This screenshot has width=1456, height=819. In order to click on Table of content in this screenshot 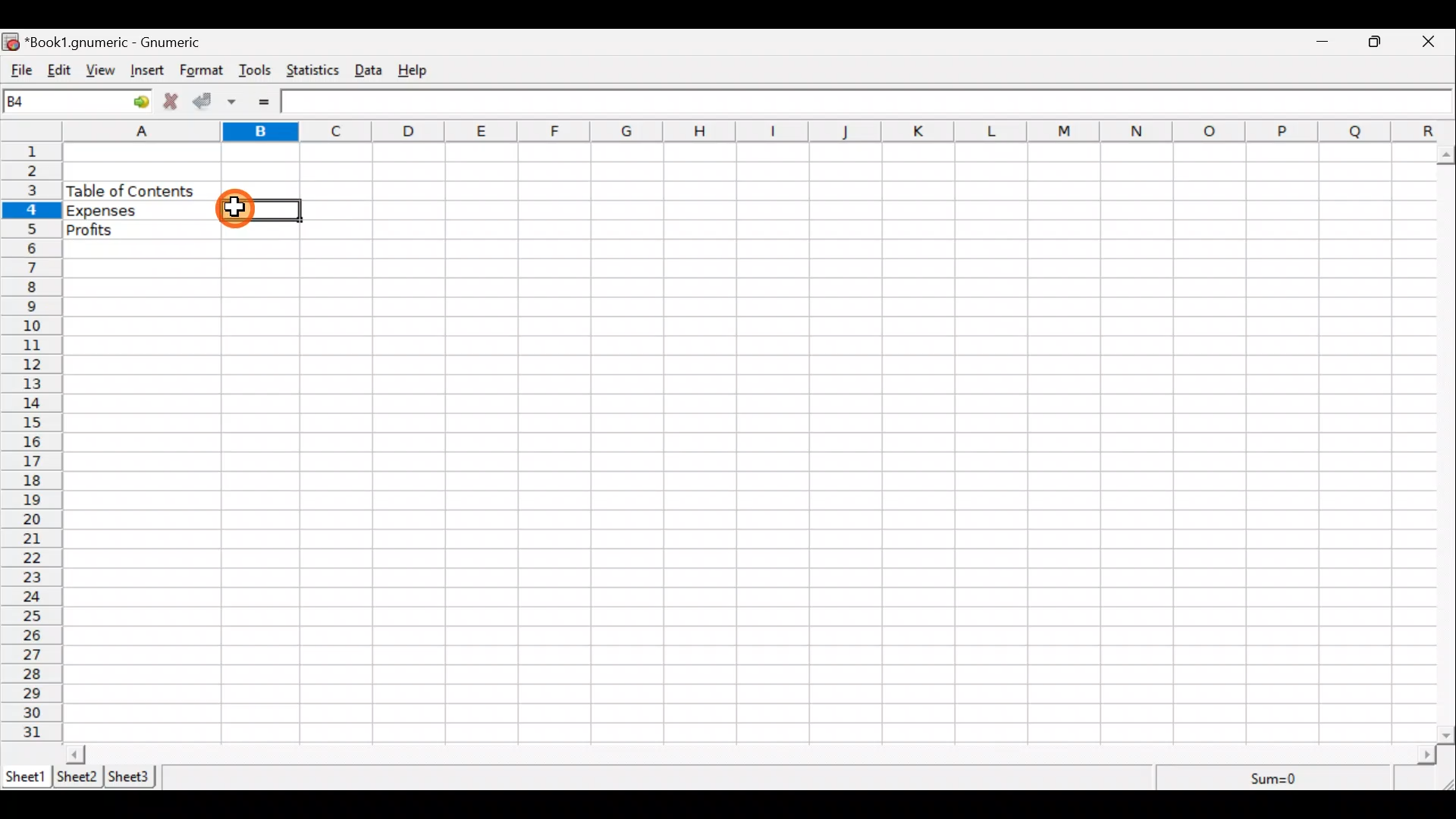, I will do `click(136, 193)`.